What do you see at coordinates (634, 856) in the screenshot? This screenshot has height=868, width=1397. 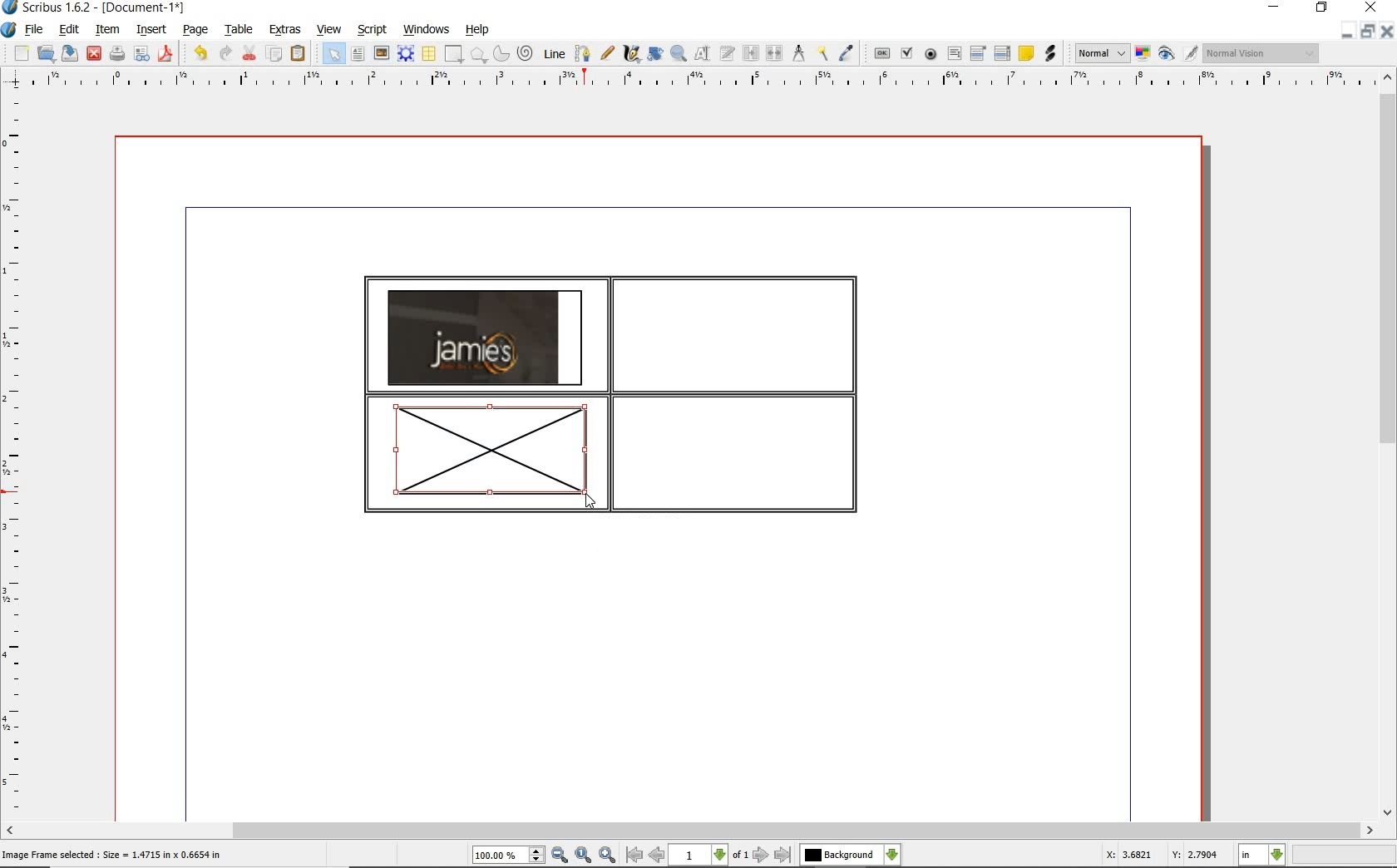 I see `go to first page` at bounding box center [634, 856].